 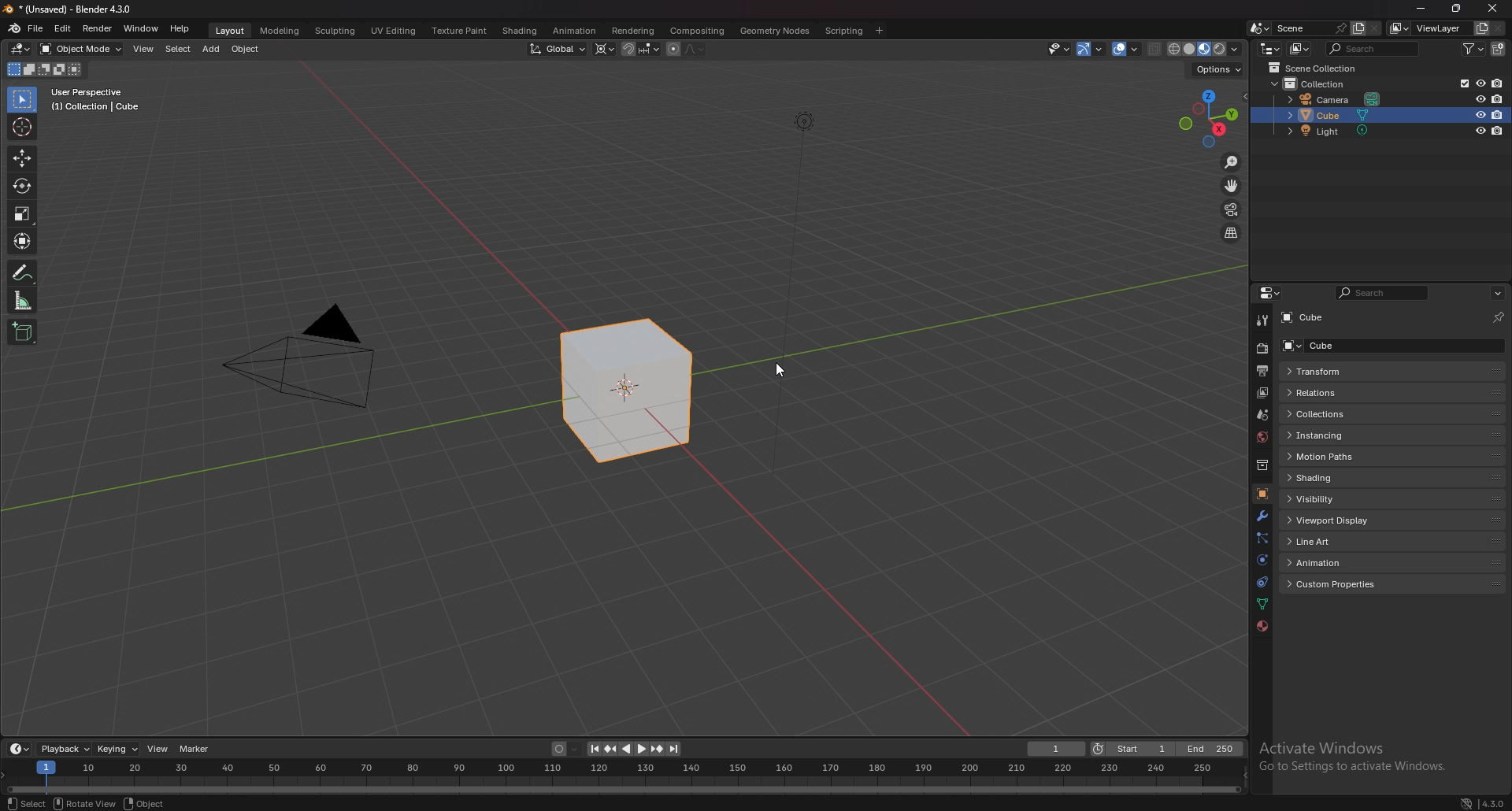 What do you see at coordinates (1367, 754) in the screenshot?
I see `Activate Windows` at bounding box center [1367, 754].